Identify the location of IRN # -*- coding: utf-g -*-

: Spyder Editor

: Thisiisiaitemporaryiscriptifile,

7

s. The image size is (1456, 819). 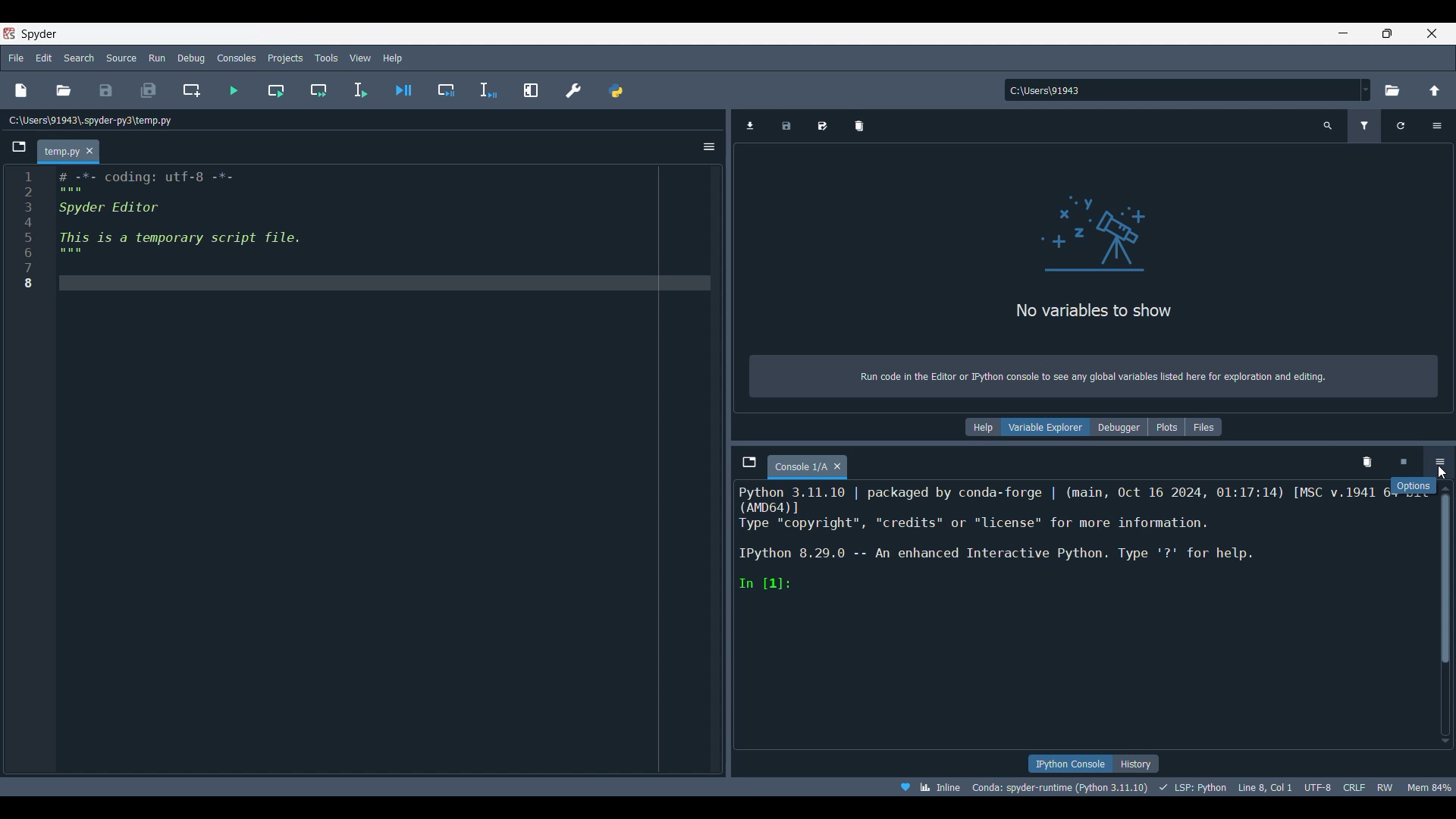
(222, 236).